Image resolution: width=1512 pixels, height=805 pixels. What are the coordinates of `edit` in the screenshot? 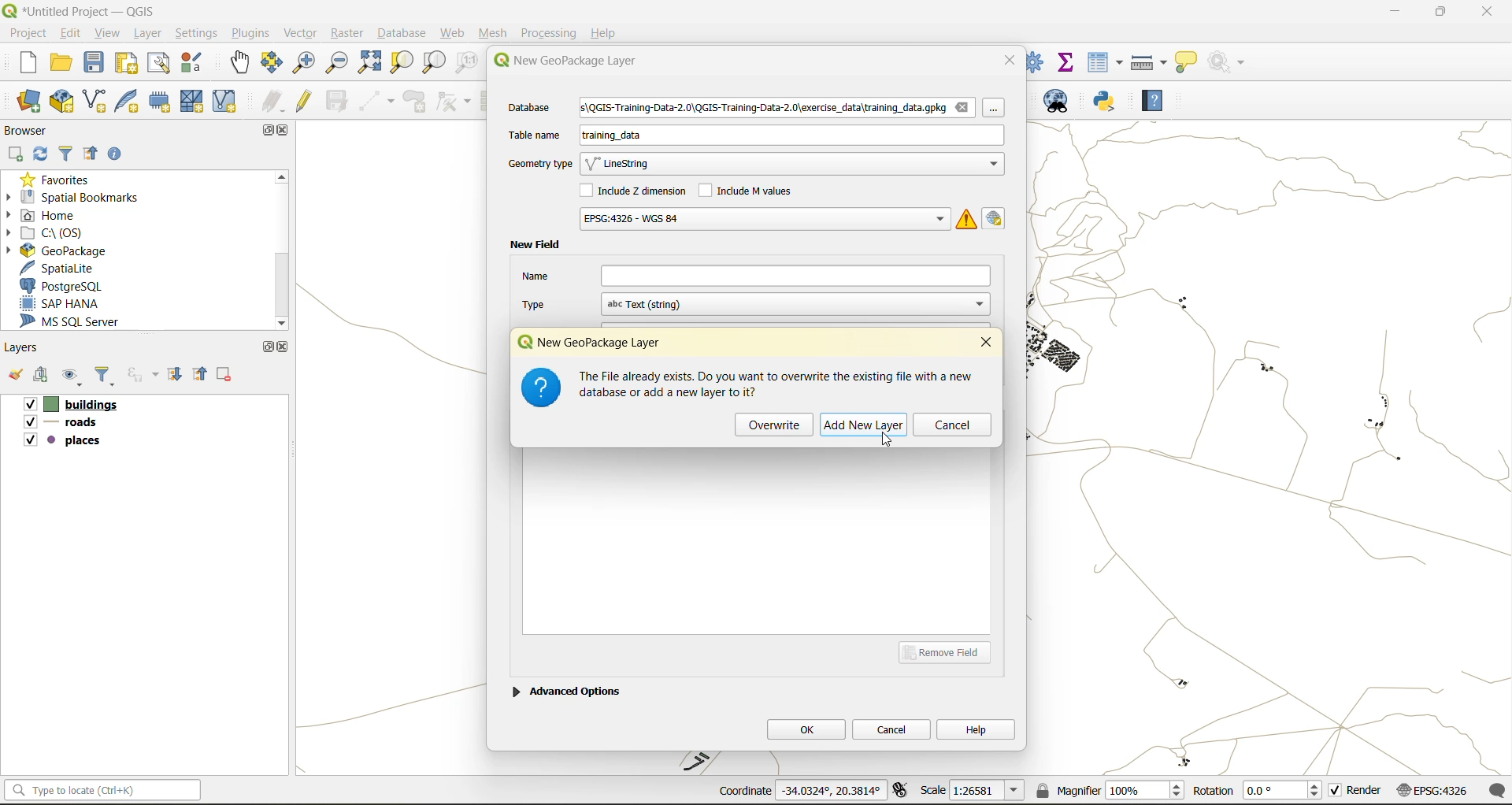 It's located at (72, 32).